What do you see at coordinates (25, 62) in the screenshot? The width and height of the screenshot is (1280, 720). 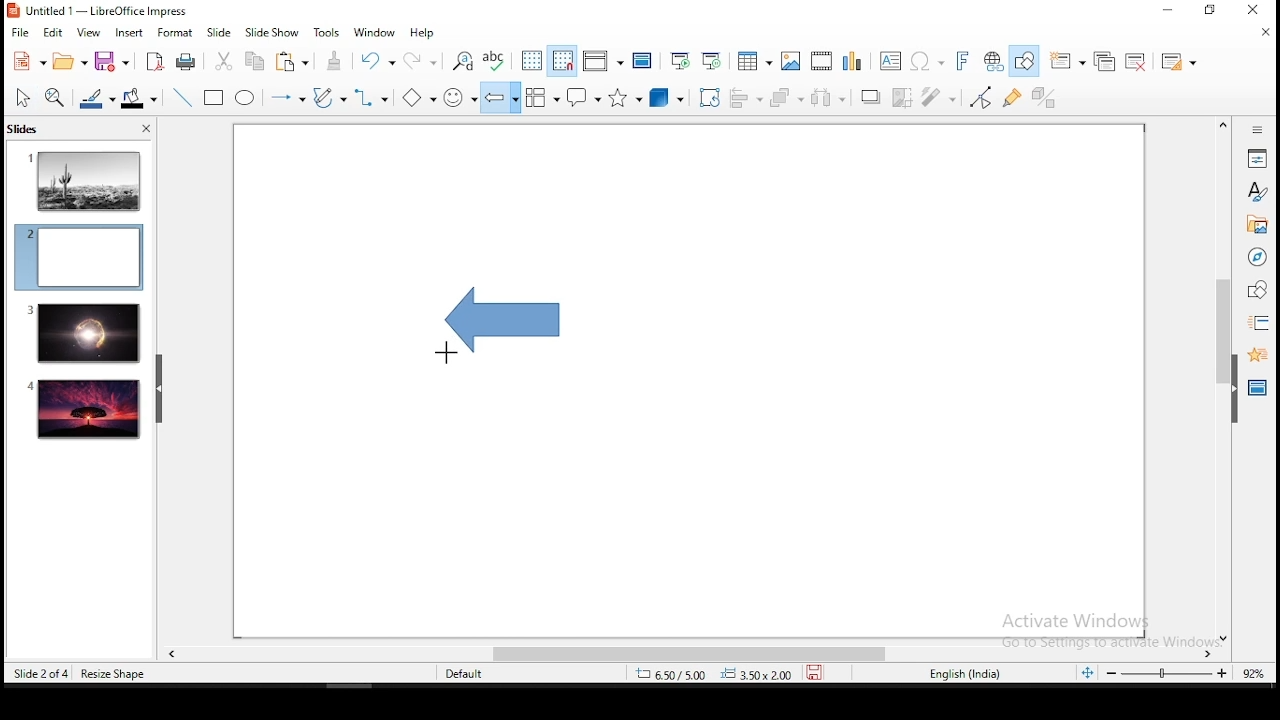 I see `new` at bounding box center [25, 62].